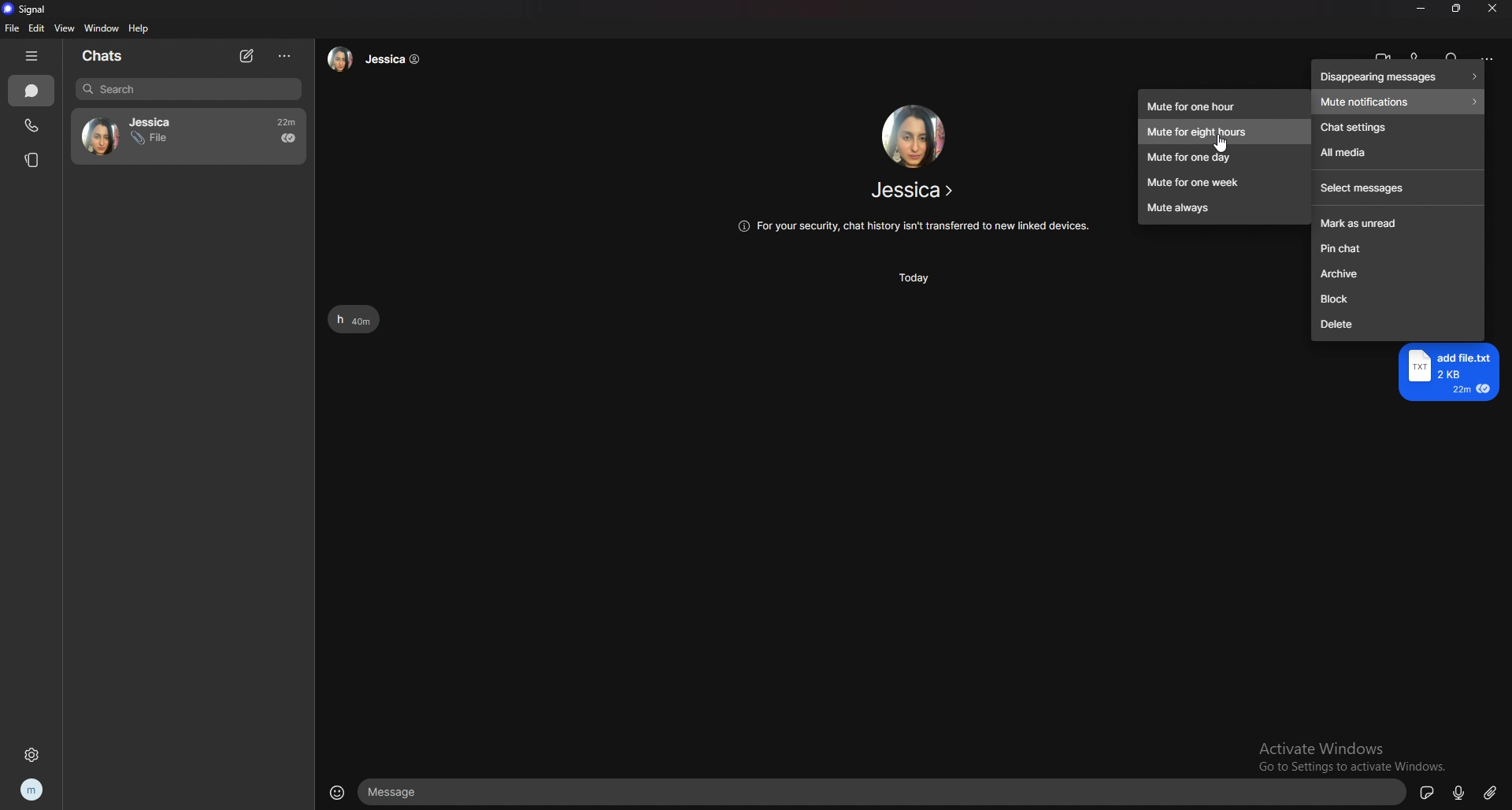 The height and width of the screenshot is (810, 1512). What do you see at coordinates (36, 27) in the screenshot?
I see `edit` at bounding box center [36, 27].